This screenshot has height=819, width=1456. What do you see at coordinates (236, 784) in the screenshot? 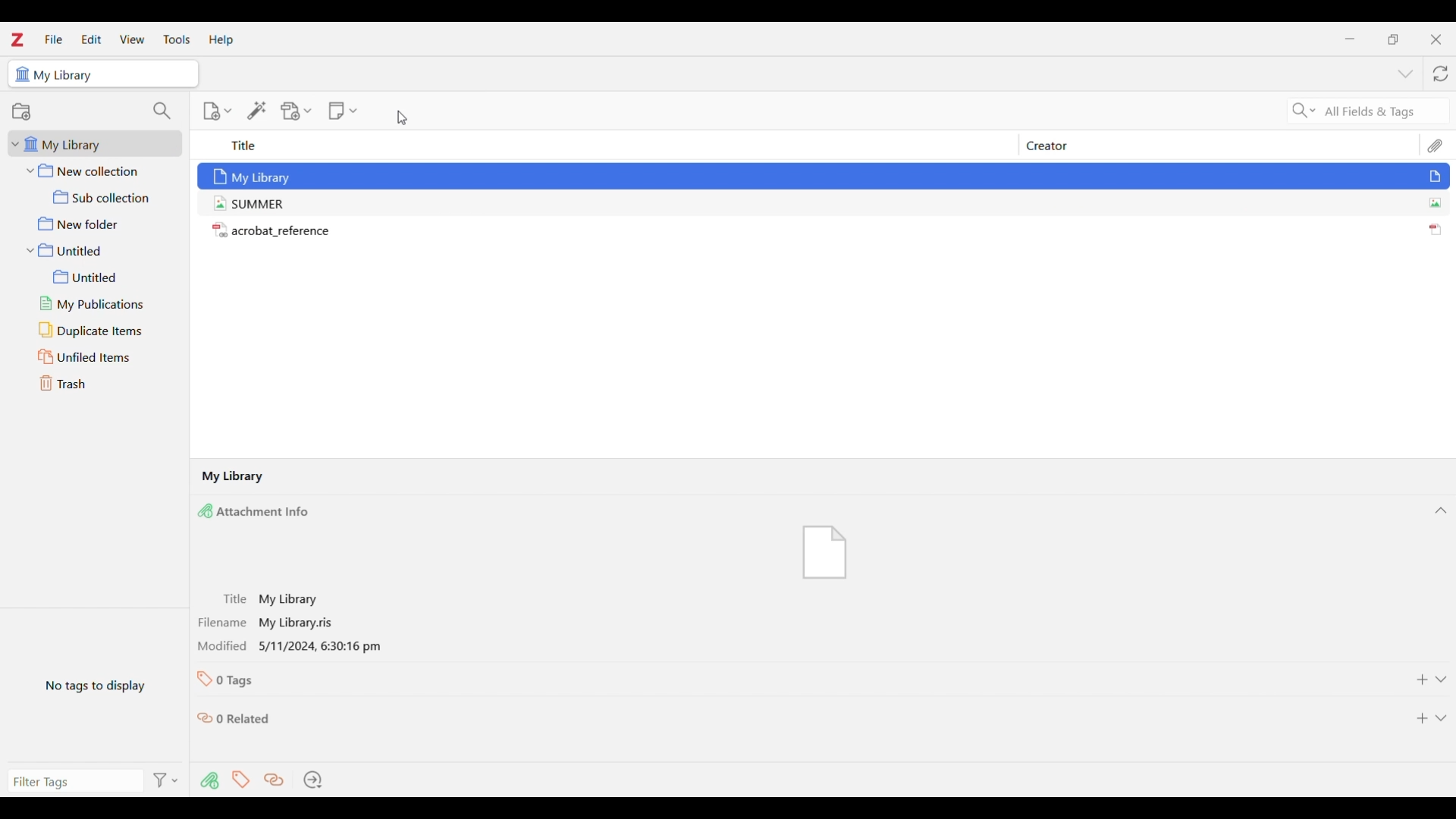
I see `tags` at bounding box center [236, 784].